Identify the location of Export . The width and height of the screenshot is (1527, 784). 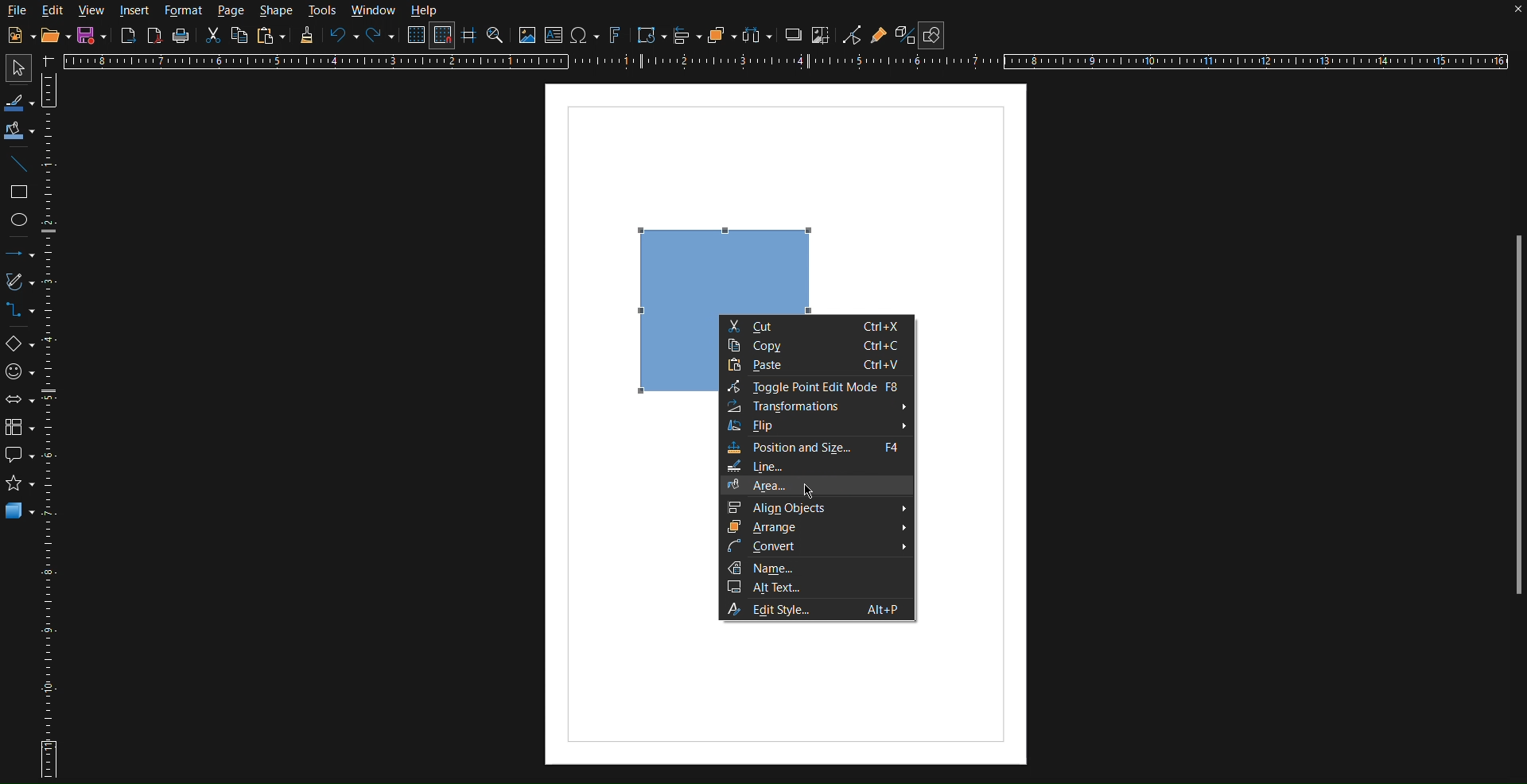
(127, 37).